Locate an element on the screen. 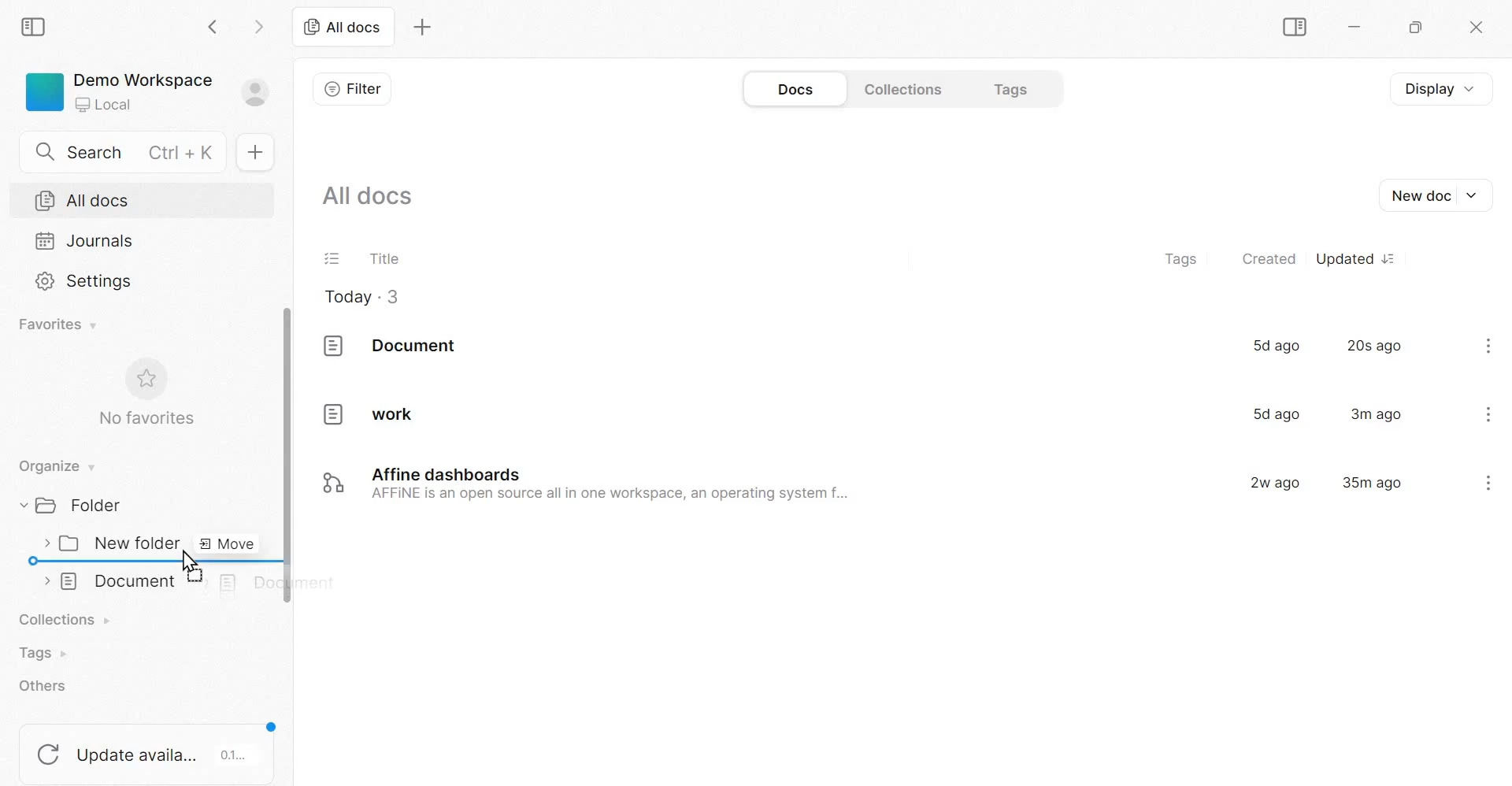 The width and height of the screenshot is (1512, 786). Favorites is located at coordinates (55, 324).